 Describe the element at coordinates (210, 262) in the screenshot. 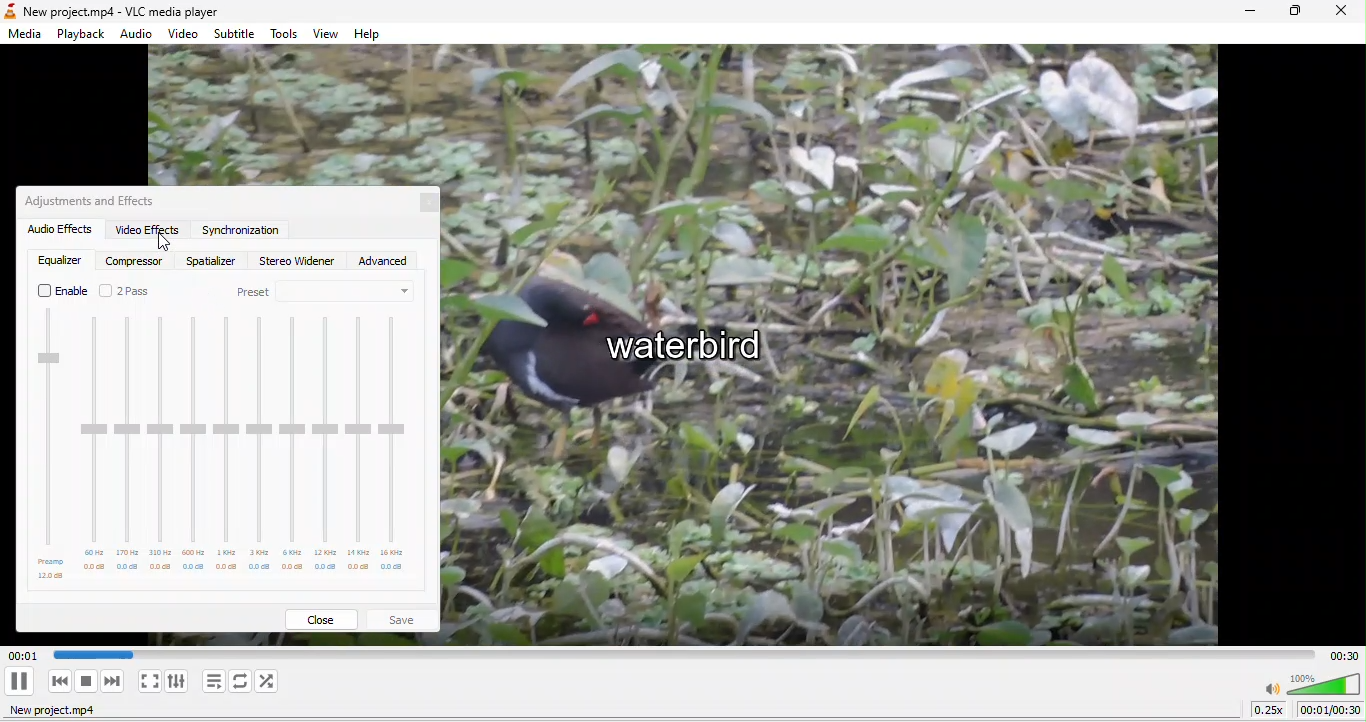

I see `spatializer` at that location.